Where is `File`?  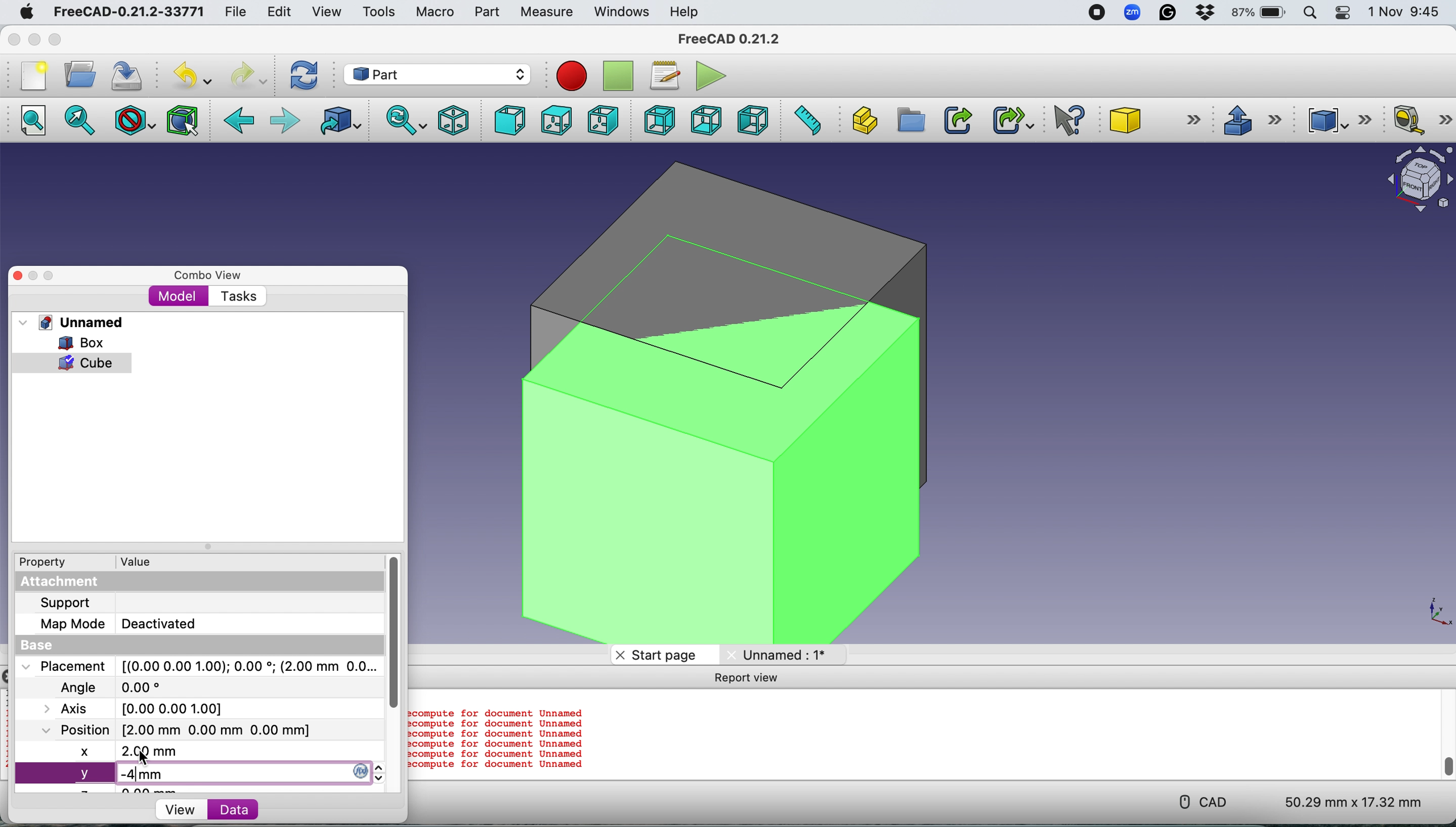
File is located at coordinates (232, 12).